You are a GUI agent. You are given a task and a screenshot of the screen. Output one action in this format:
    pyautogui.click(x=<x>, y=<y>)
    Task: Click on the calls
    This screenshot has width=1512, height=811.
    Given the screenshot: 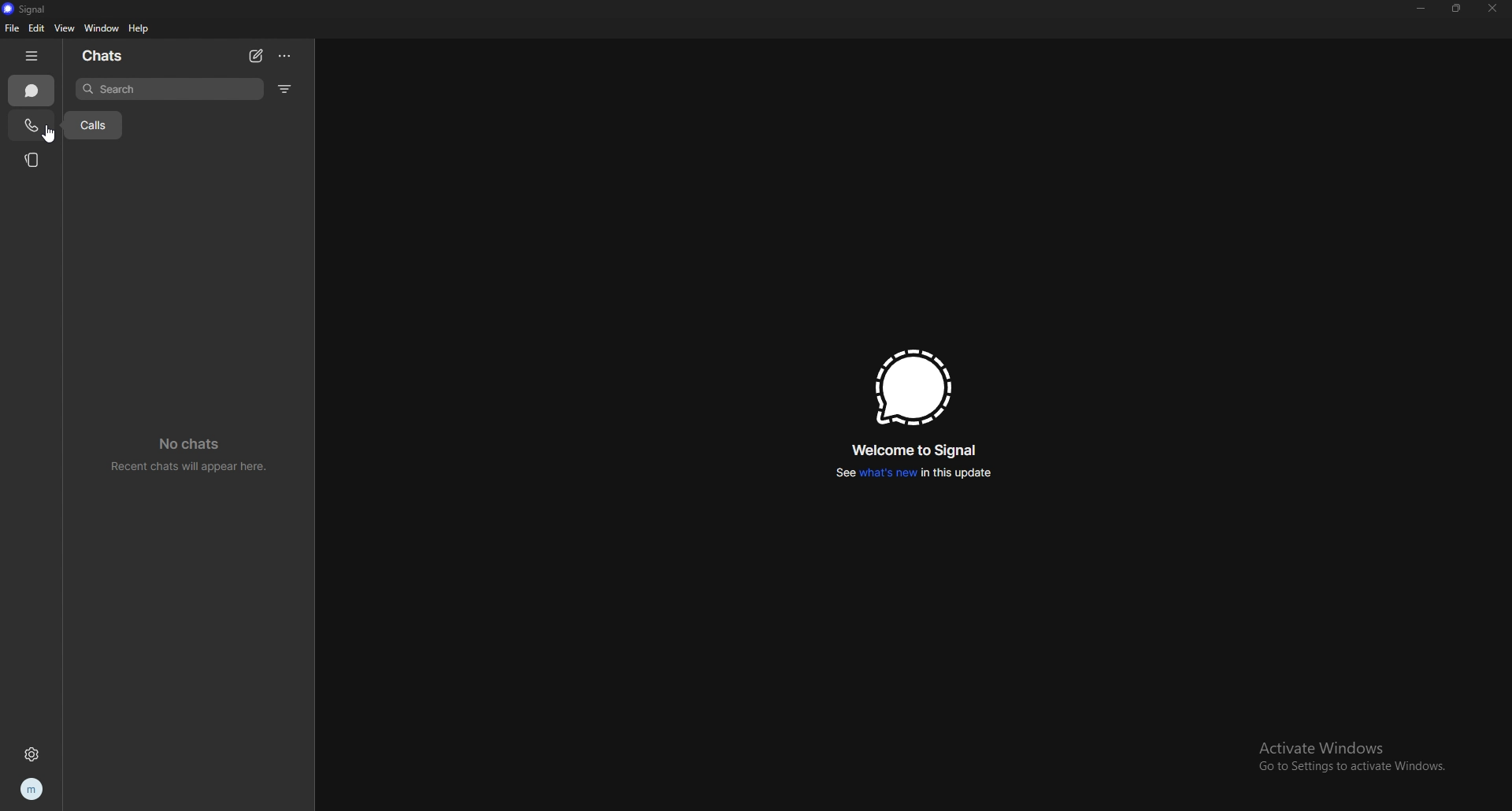 What is the action you would take?
    pyautogui.click(x=32, y=124)
    